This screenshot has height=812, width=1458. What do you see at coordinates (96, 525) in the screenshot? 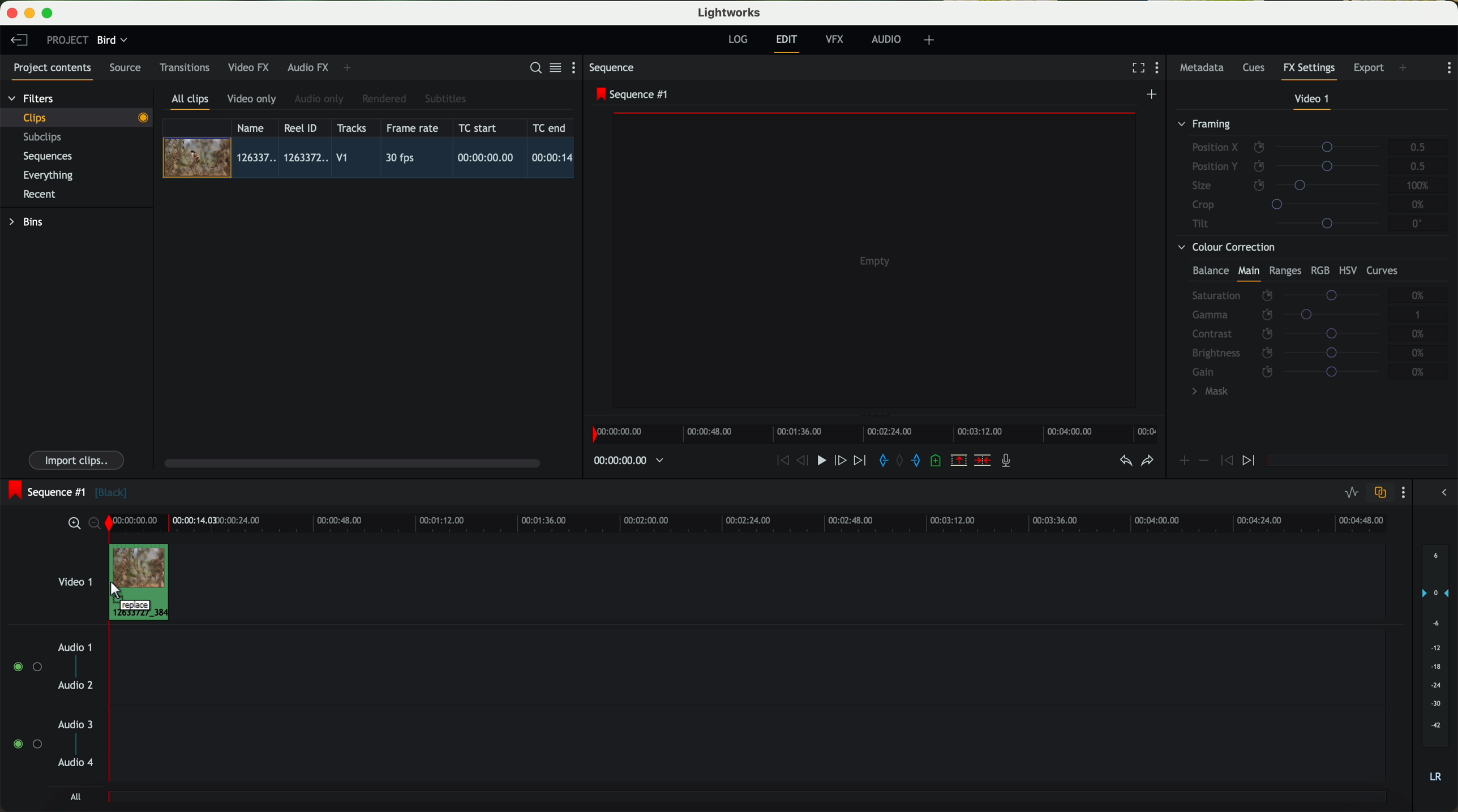
I see `zoom out` at bounding box center [96, 525].